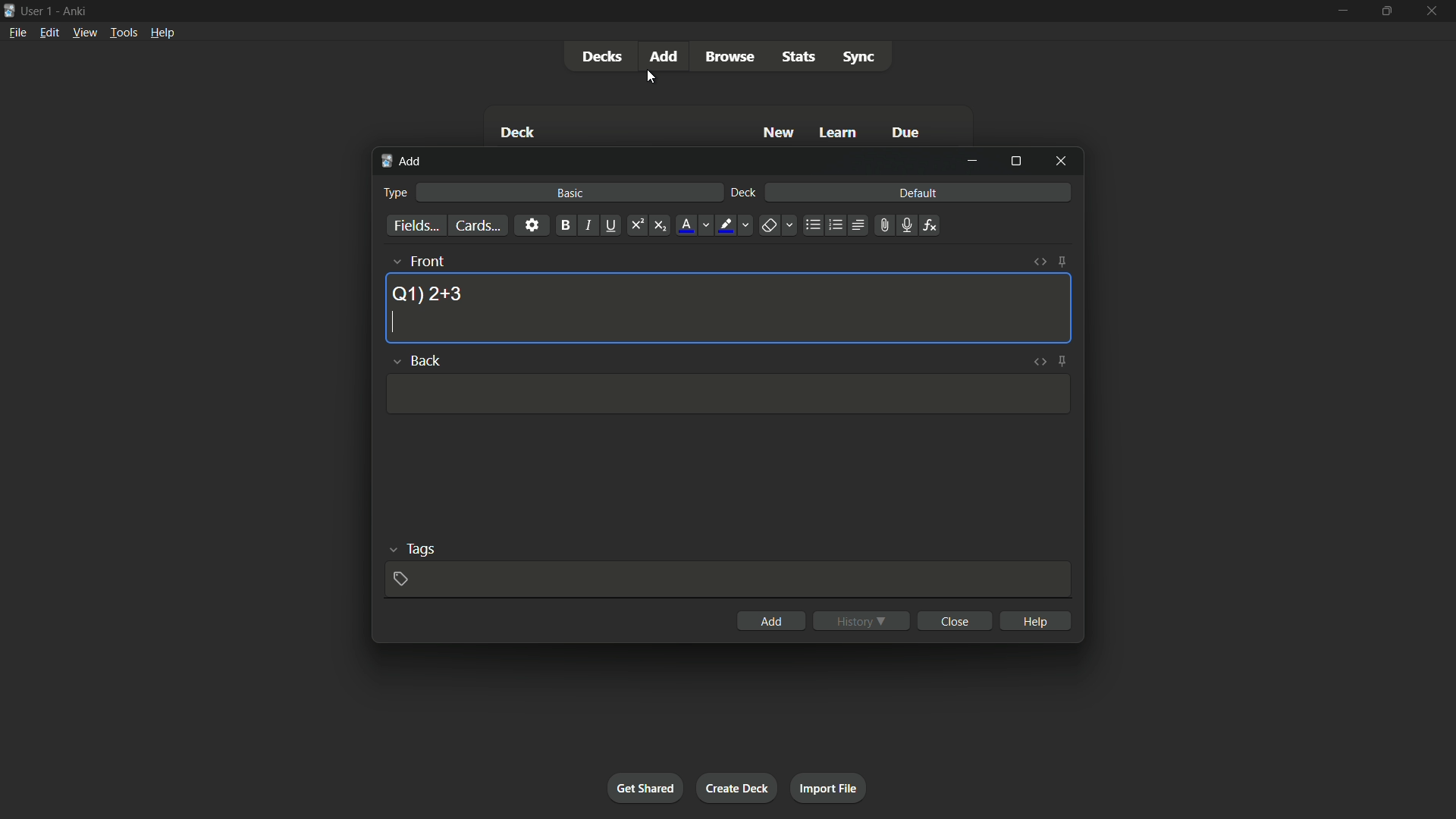  What do you see at coordinates (1063, 360) in the screenshot?
I see `toggle sticky` at bounding box center [1063, 360].